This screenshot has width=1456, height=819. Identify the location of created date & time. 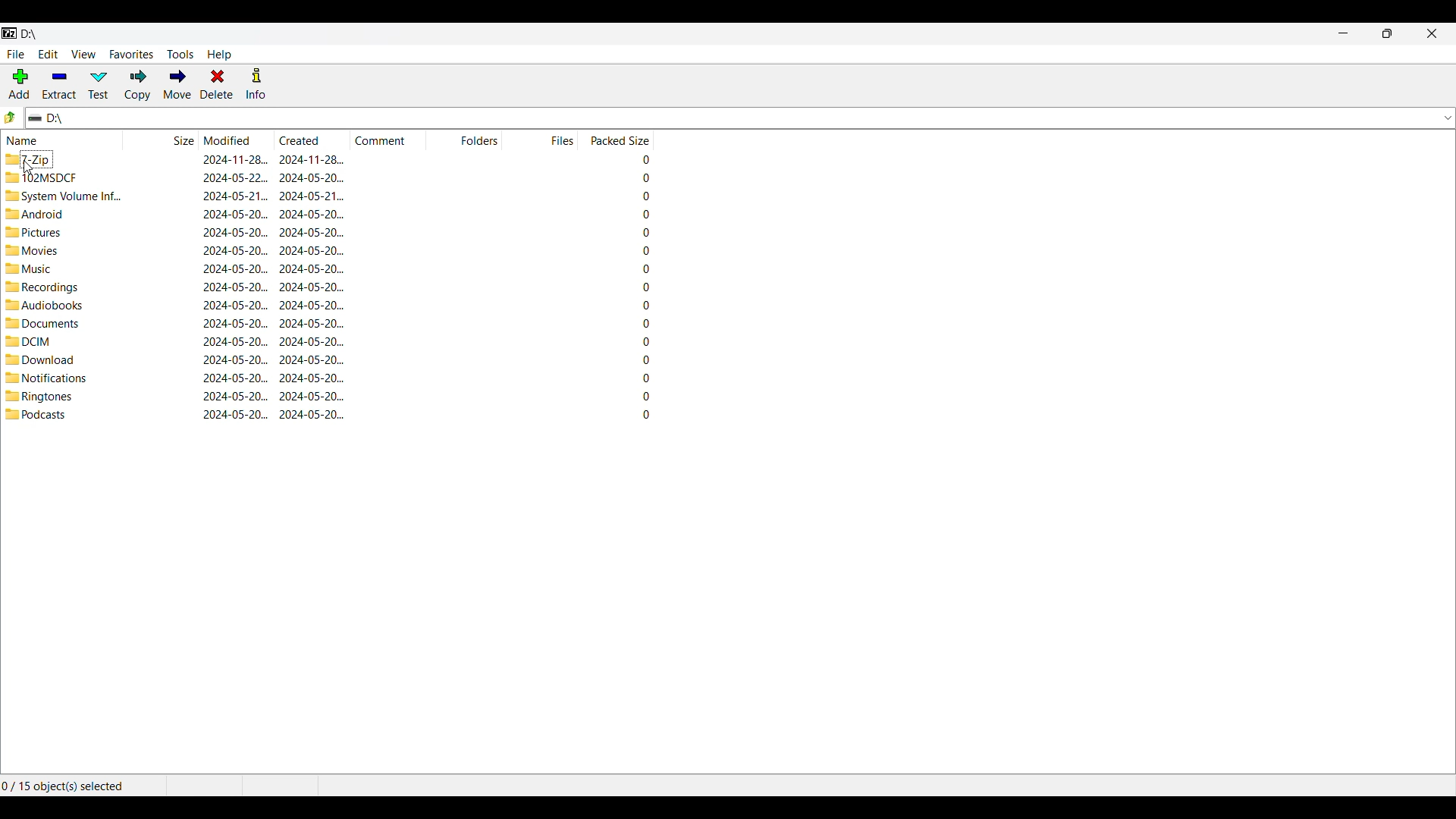
(312, 250).